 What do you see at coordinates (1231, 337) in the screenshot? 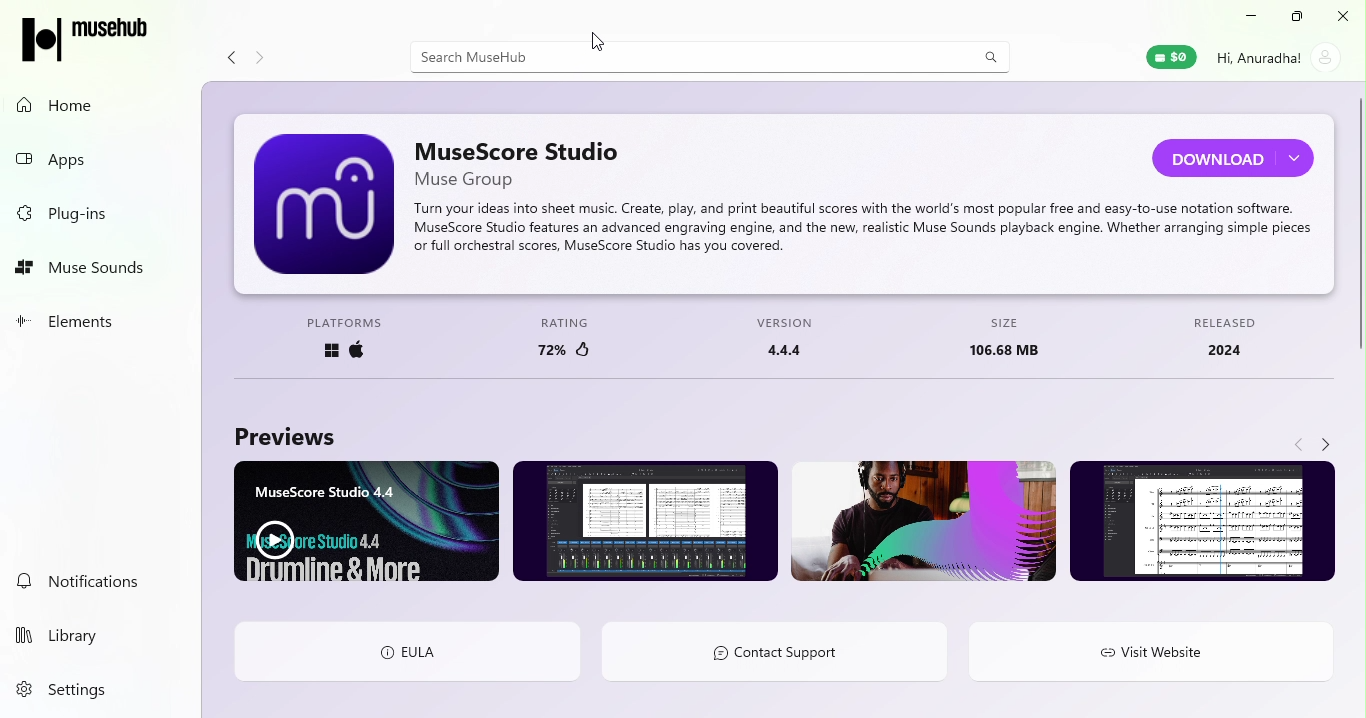
I see `Released` at bounding box center [1231, 337].